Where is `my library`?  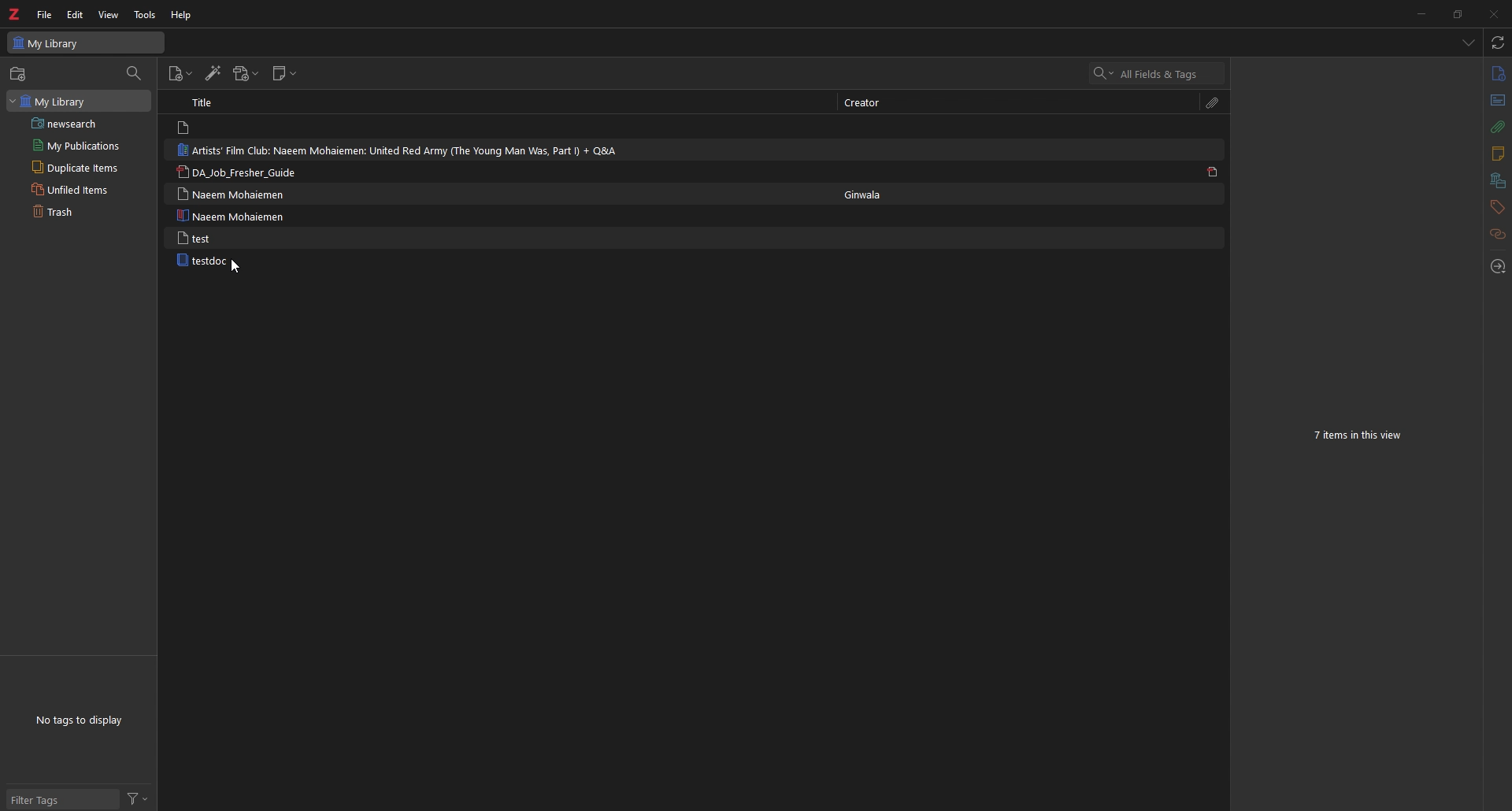
my library is located at coordinates (77, 100).